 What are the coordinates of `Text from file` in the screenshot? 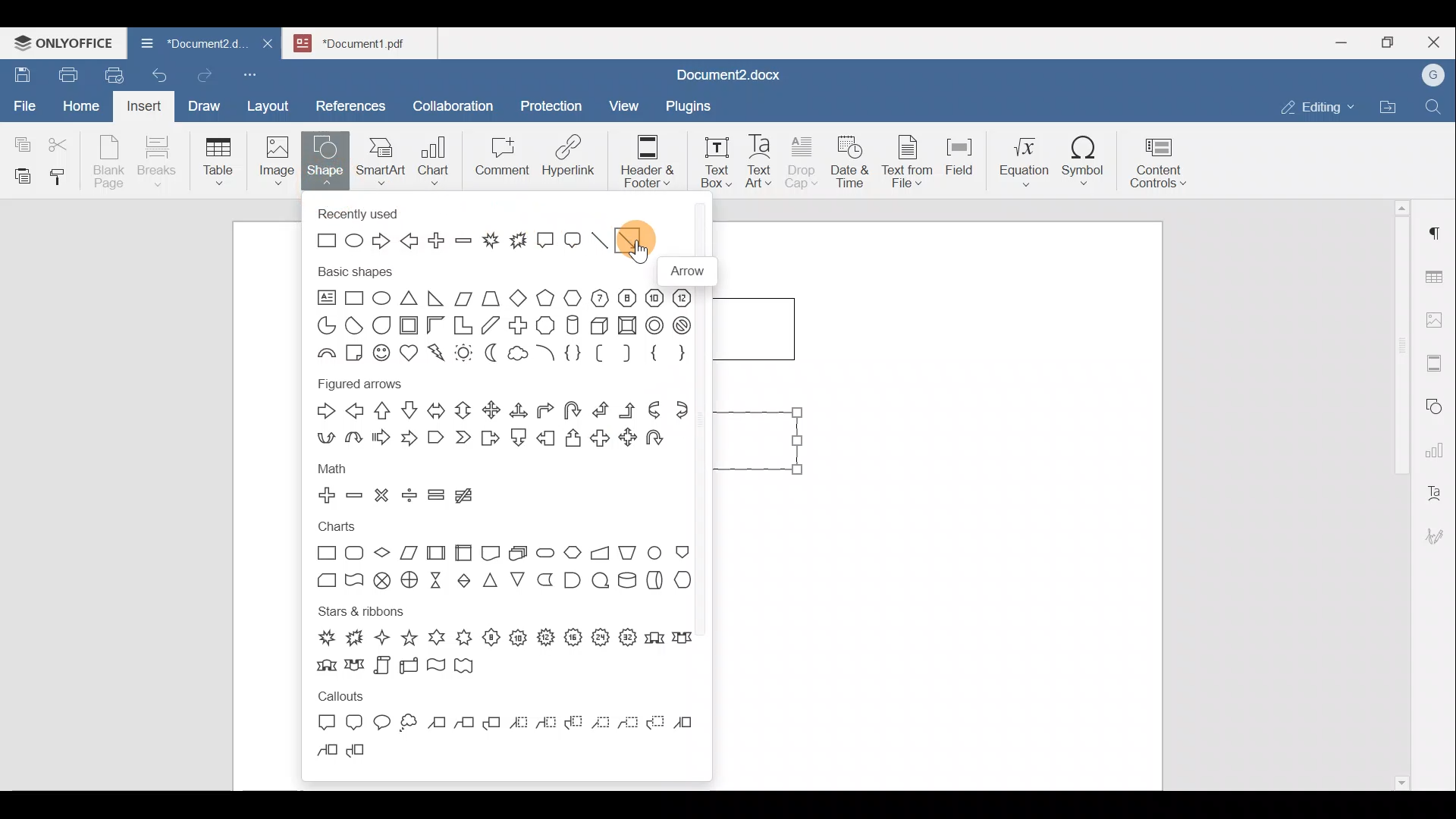 It's located at (910, 160).